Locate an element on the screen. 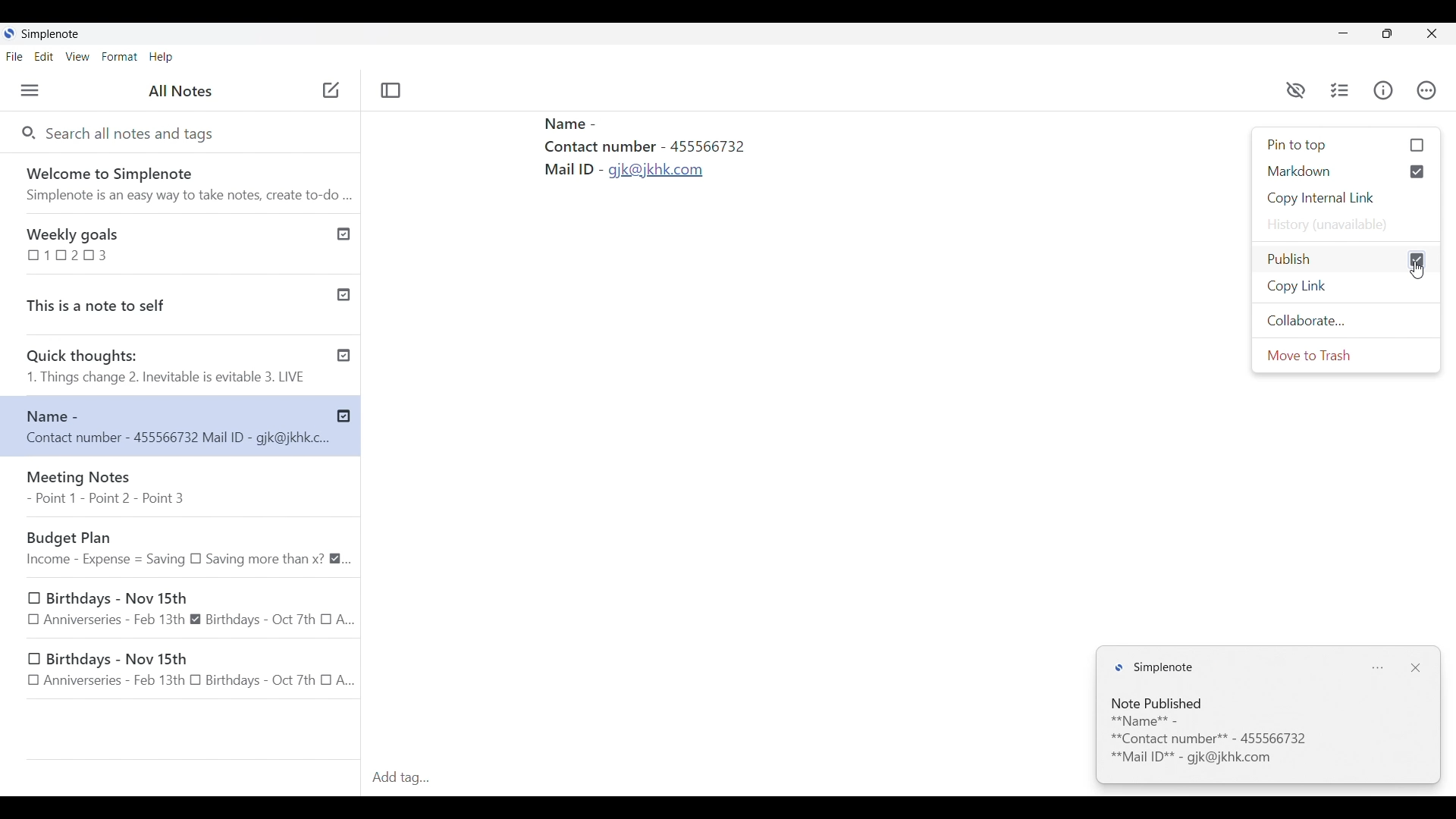  Quick thoughts: 1. Things change 2. Inevitable is evitable 3. LIVE is located at coordinates (165, 368).